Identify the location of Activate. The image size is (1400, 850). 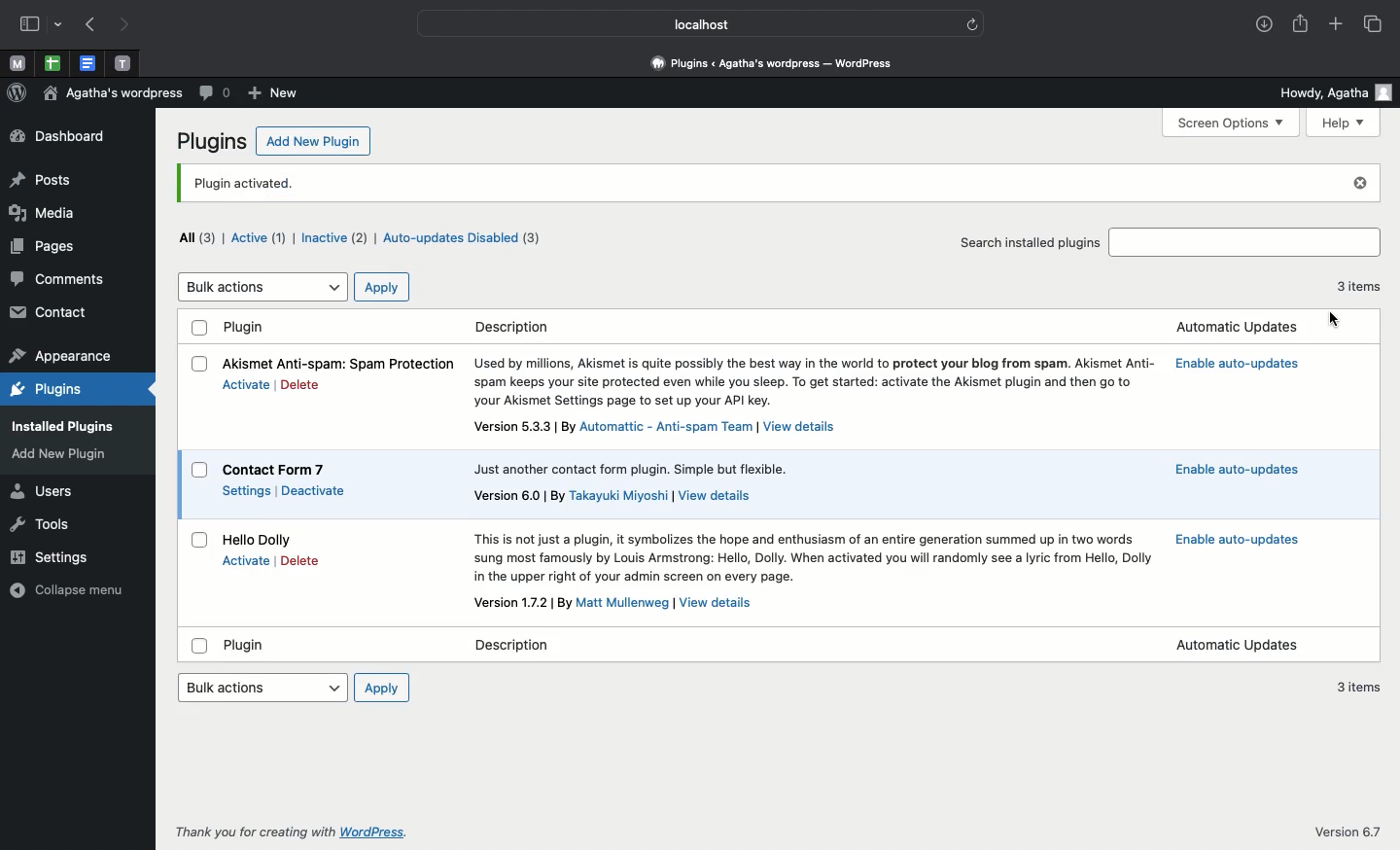
(248, 558).